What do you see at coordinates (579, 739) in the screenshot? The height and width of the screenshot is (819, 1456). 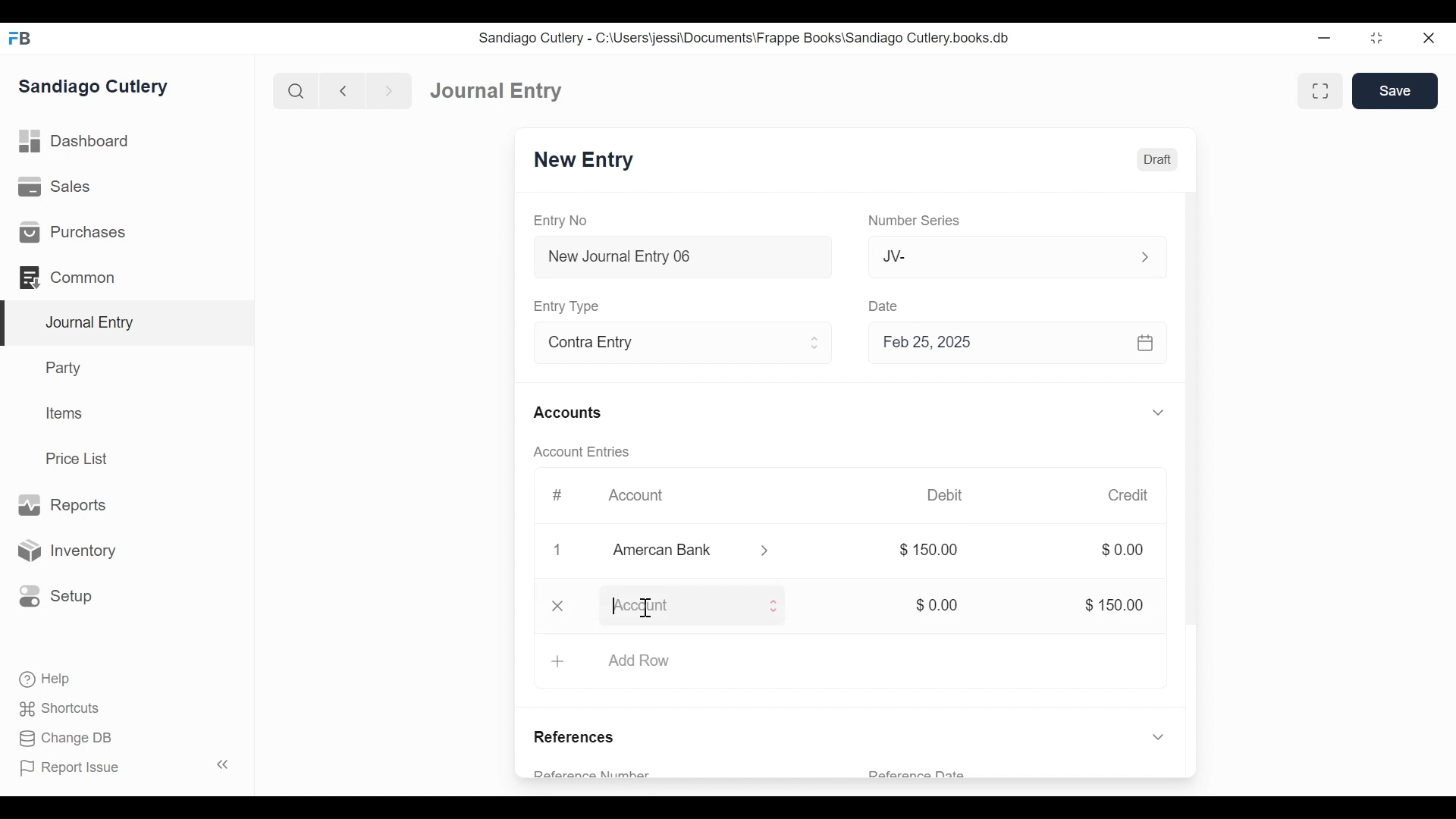 I see `References` at bounding box center [579, 739].